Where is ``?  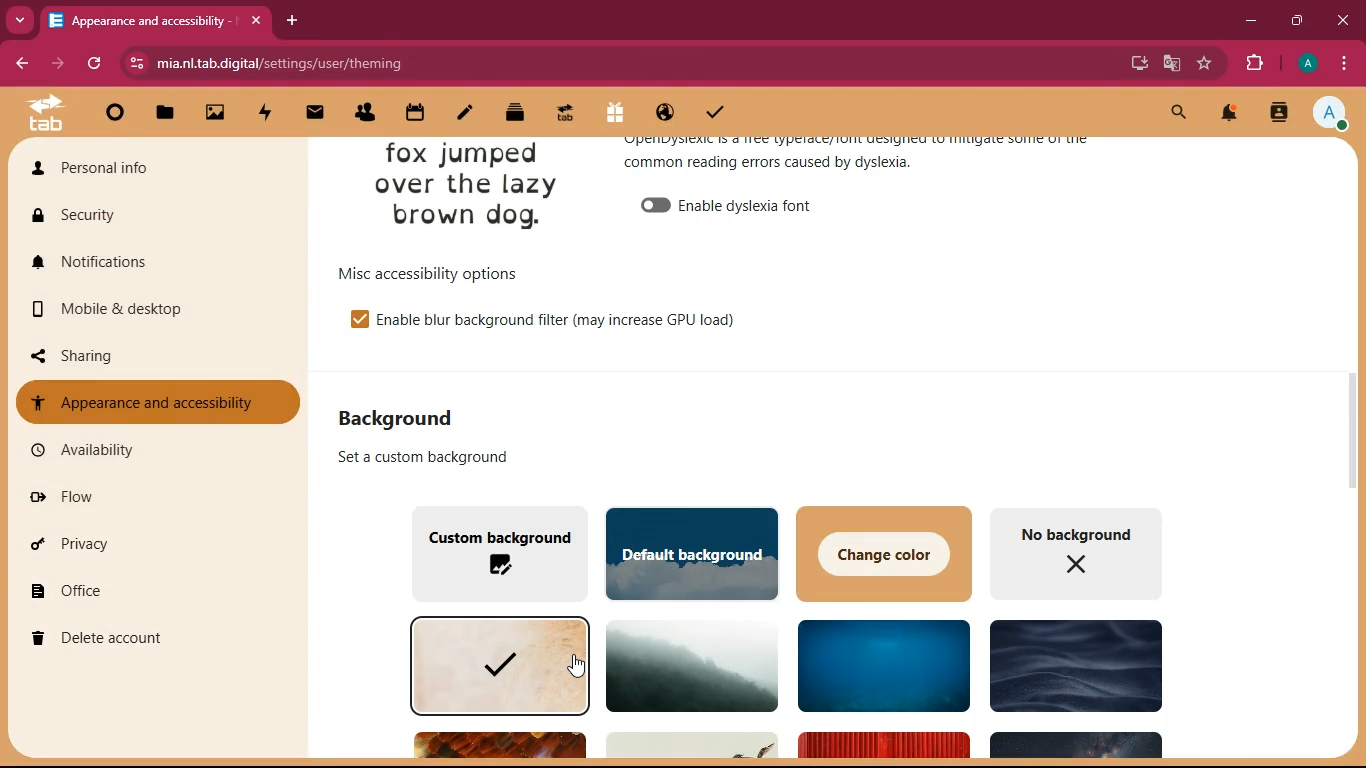
 is located at coordinates (499, 744).